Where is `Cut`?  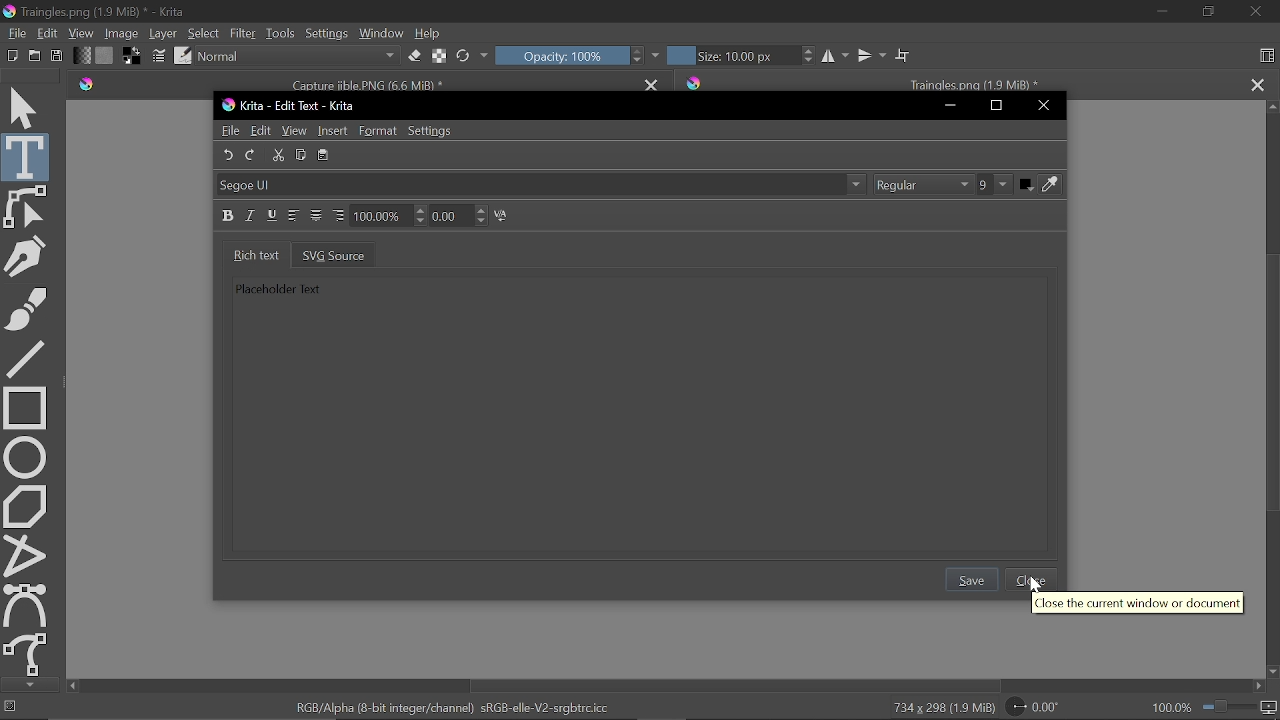
Cut is located at coordinates (279, 155).